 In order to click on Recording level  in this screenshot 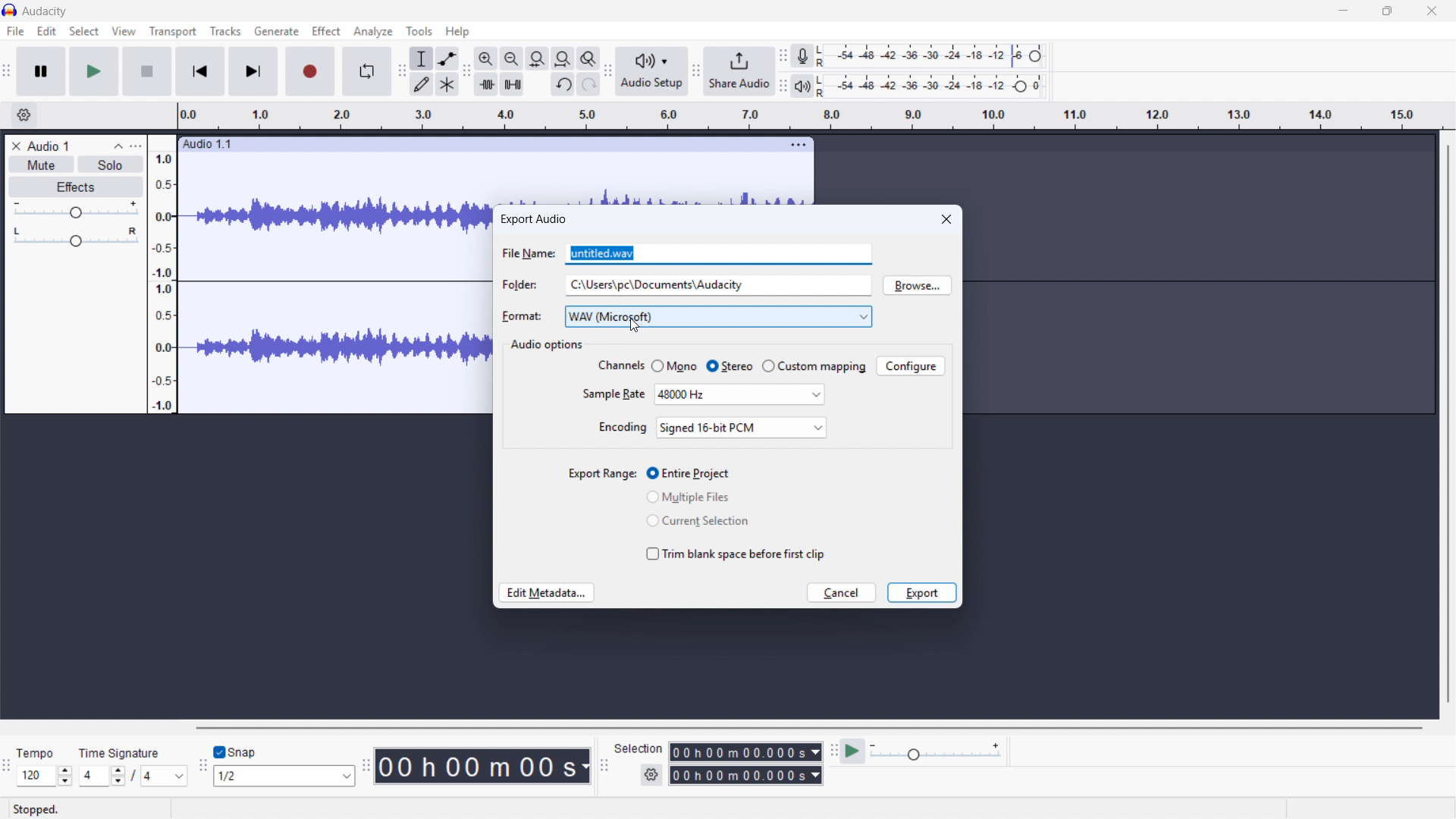, I will do `click(936, 55)`.